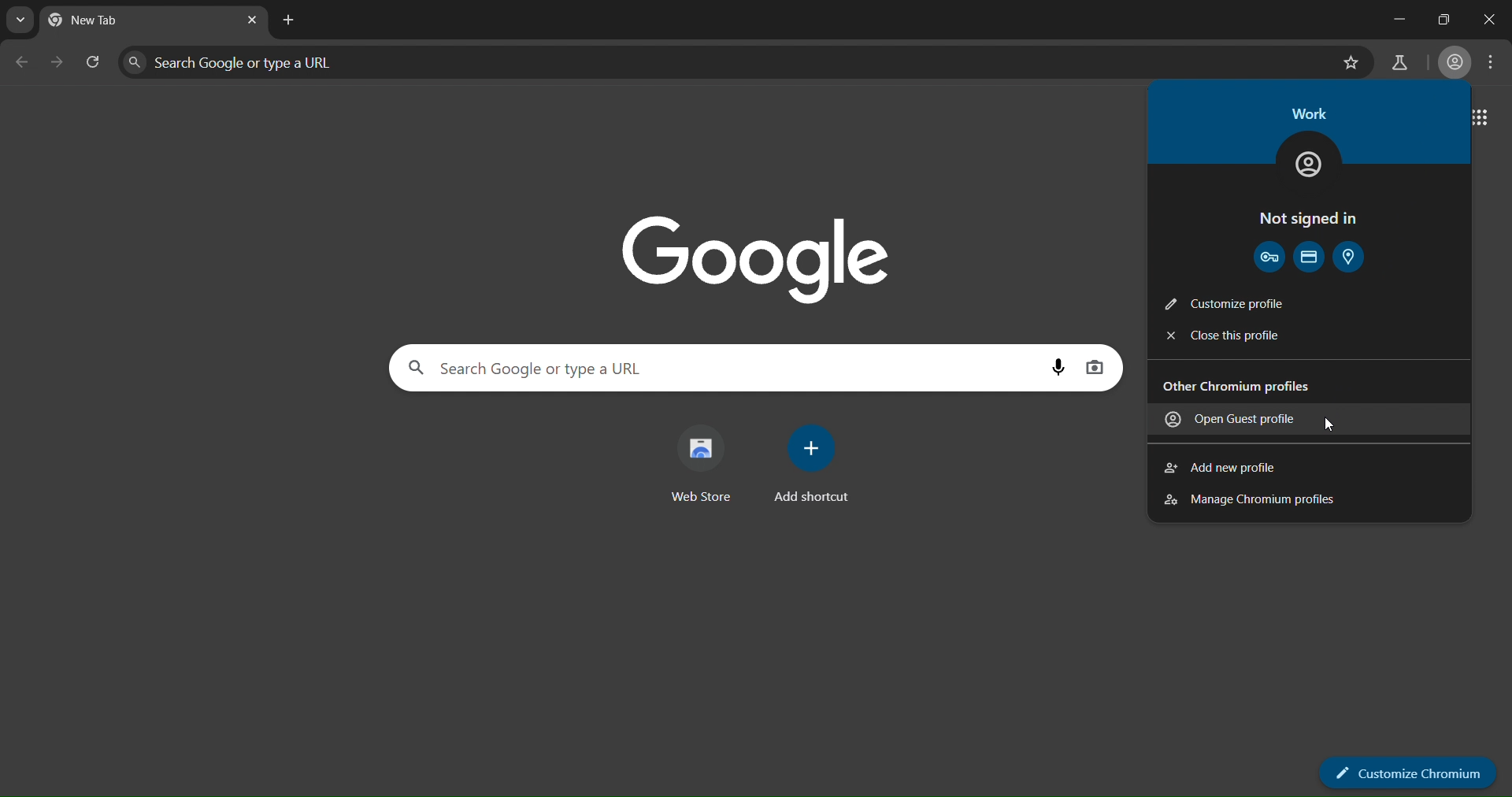  What do you see at coordinates (1057, 369) in the screenshot?
I see `voice search` at bounding box center [1057, 369].